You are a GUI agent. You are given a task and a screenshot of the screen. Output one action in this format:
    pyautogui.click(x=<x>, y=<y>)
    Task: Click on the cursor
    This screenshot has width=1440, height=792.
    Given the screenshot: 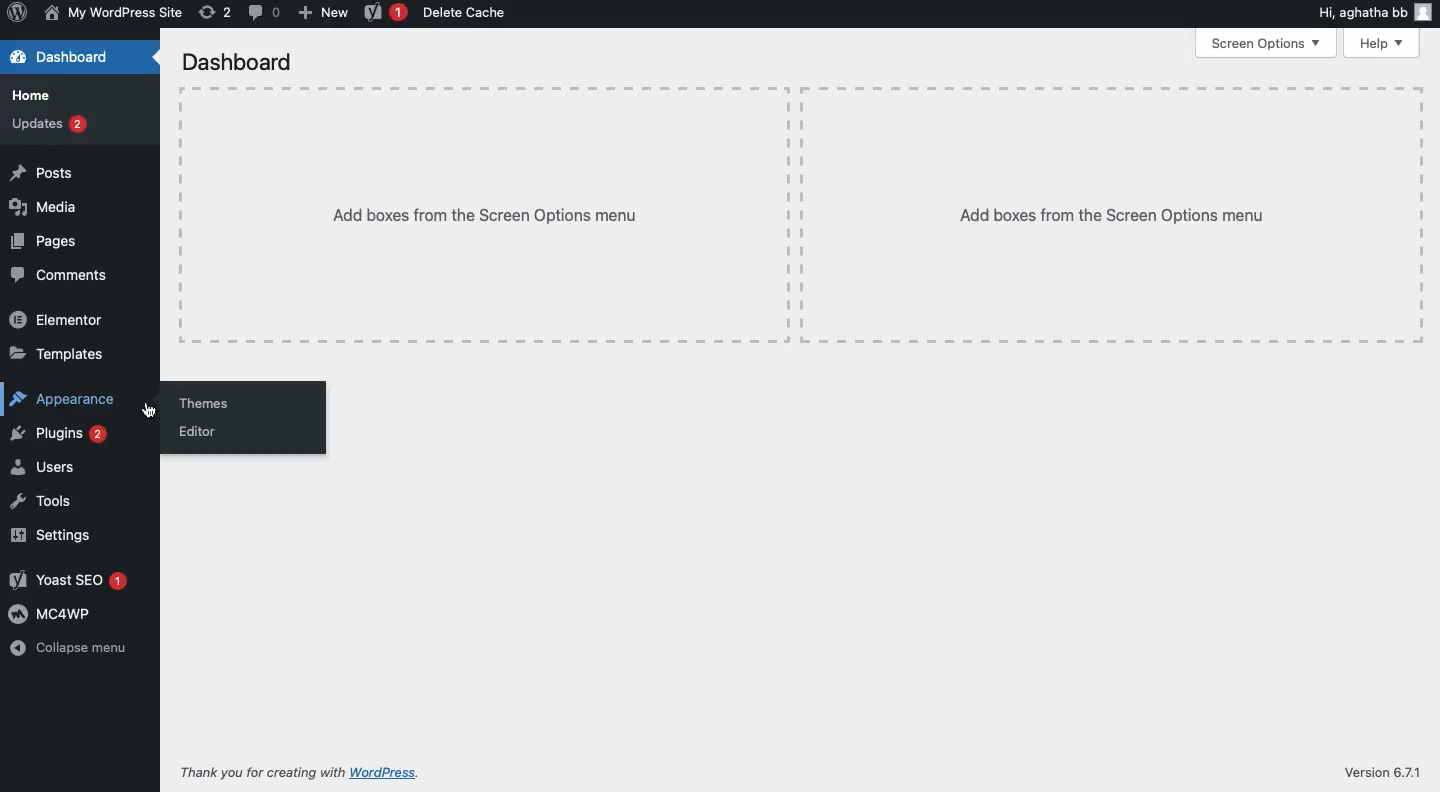 What is the action you would take?
    pyautogui.click(x=152, y=414)
    